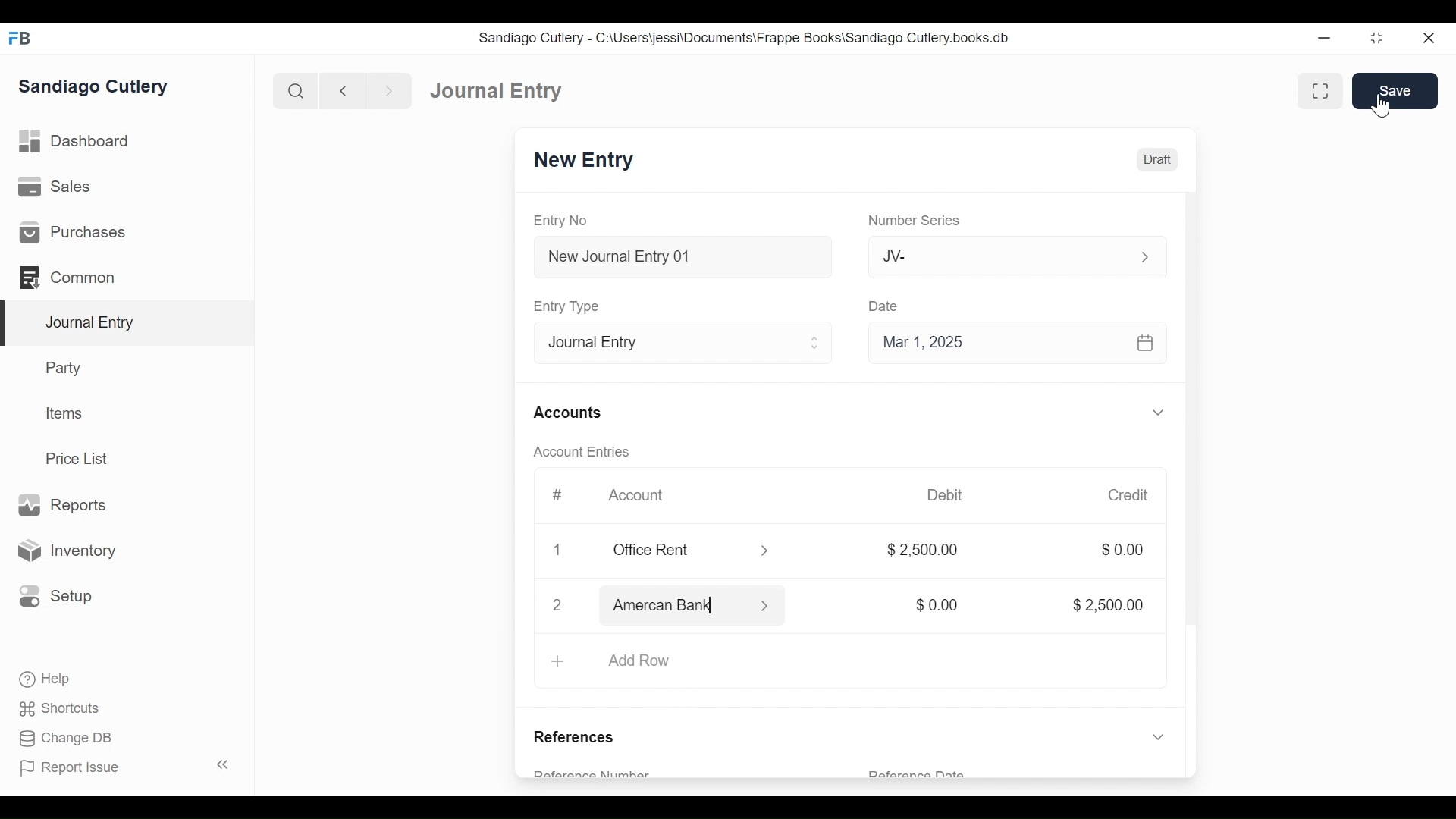  Describe the element at coordinates (1378, 37) in the screenshot. I see `maximize` at that location.